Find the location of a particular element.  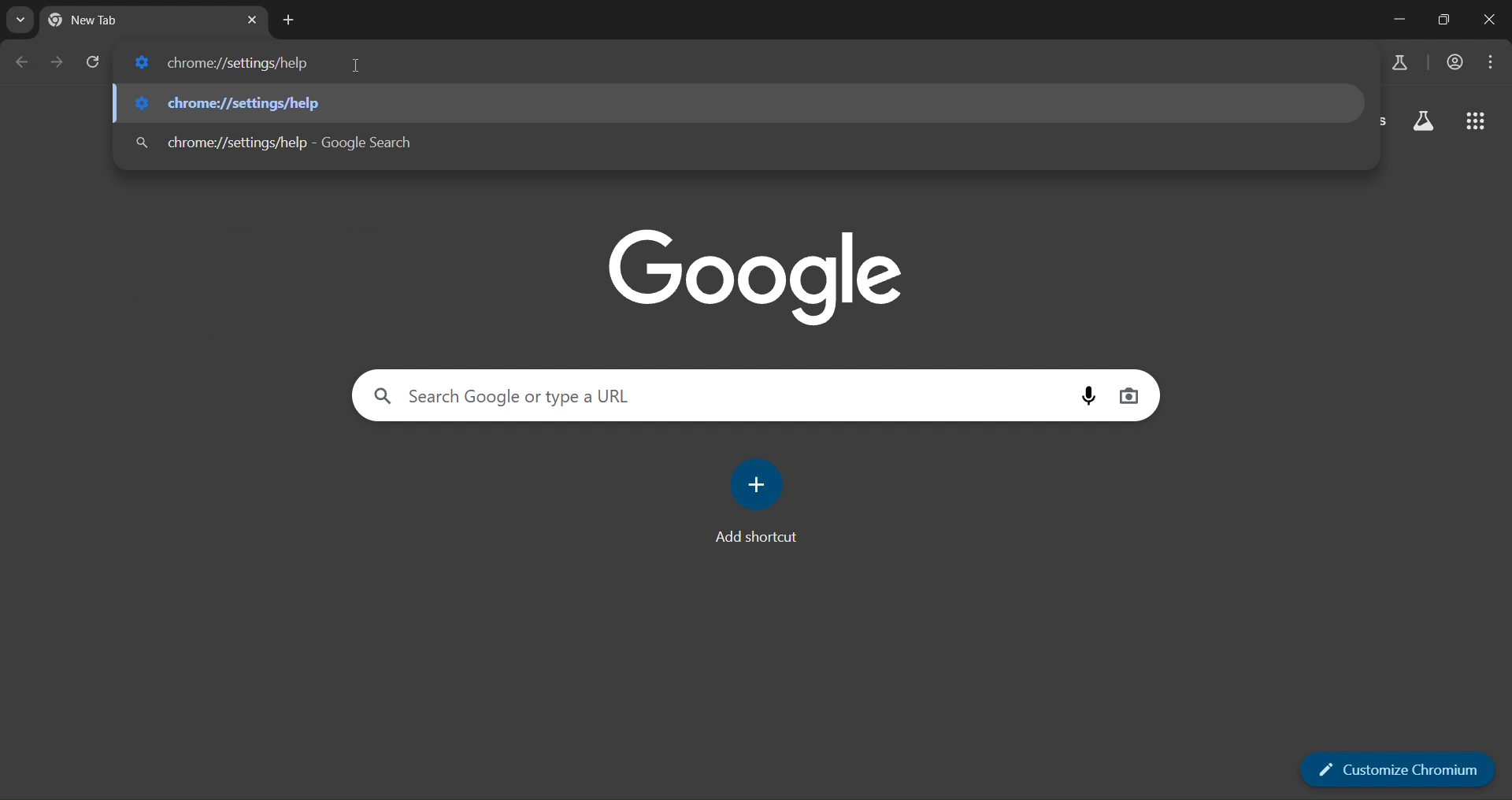

current tab is located at coordinates (124, 22).